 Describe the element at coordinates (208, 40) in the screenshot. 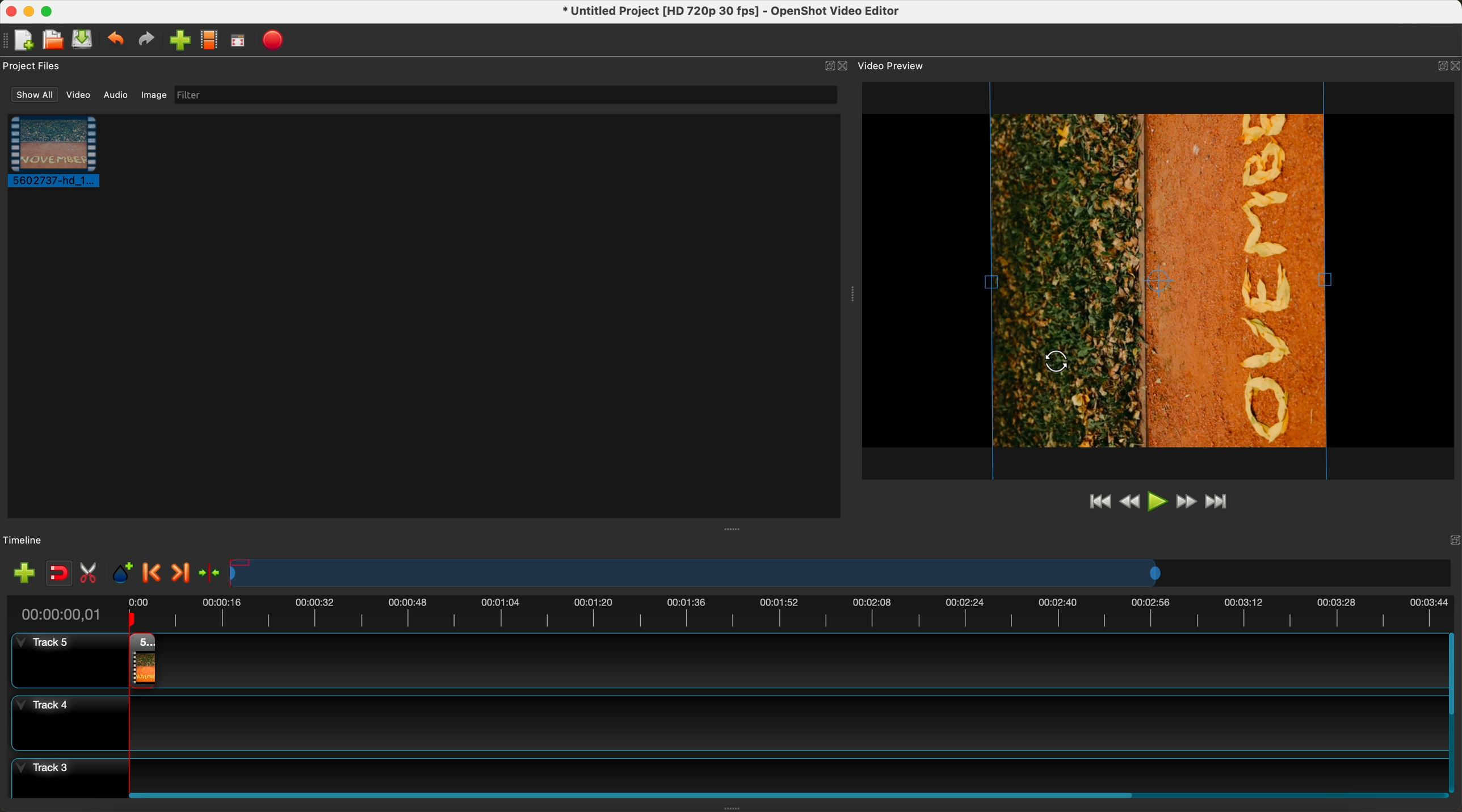

I see `choose profile` at that location.